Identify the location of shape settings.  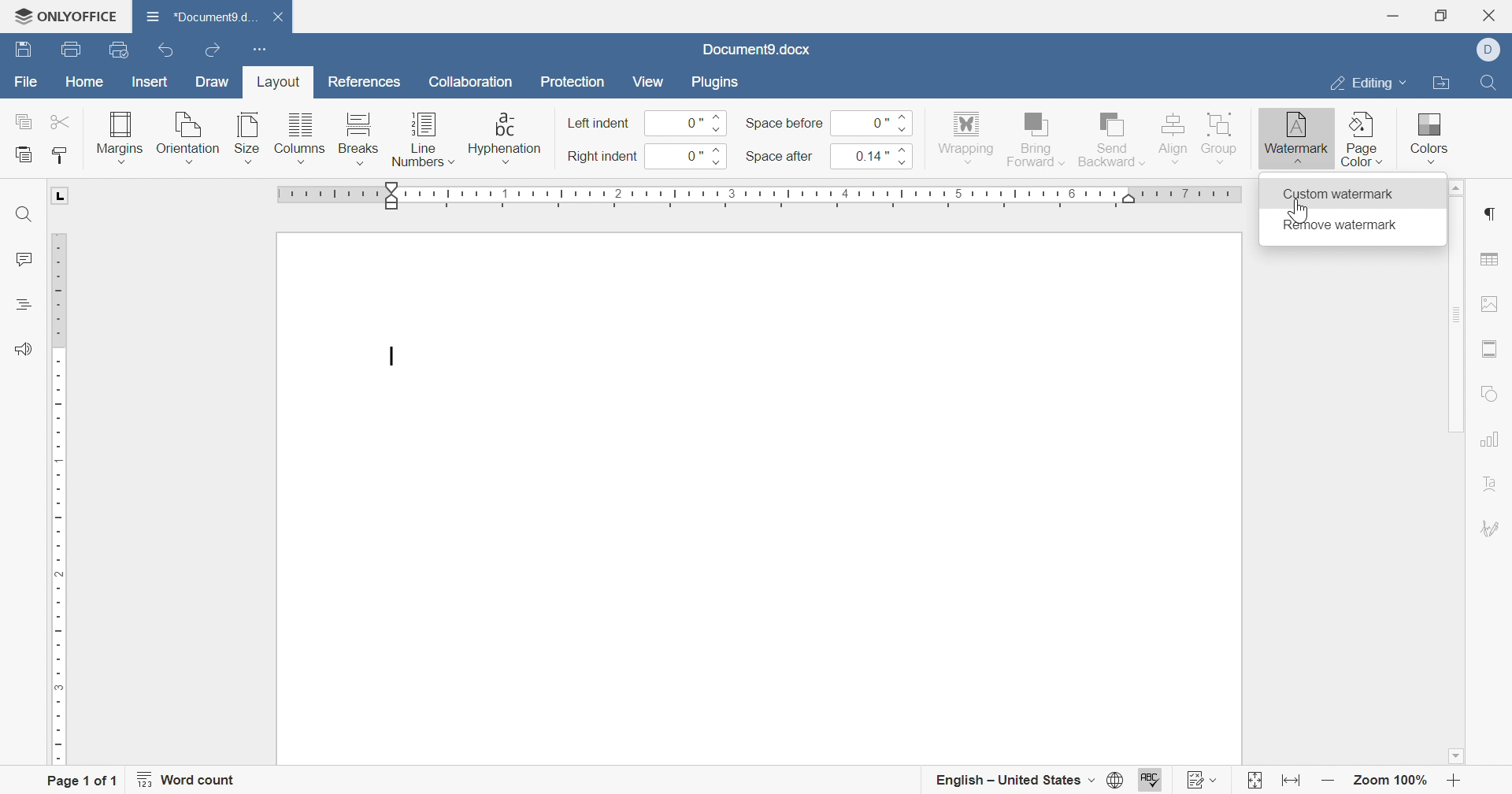
(1491, 395).